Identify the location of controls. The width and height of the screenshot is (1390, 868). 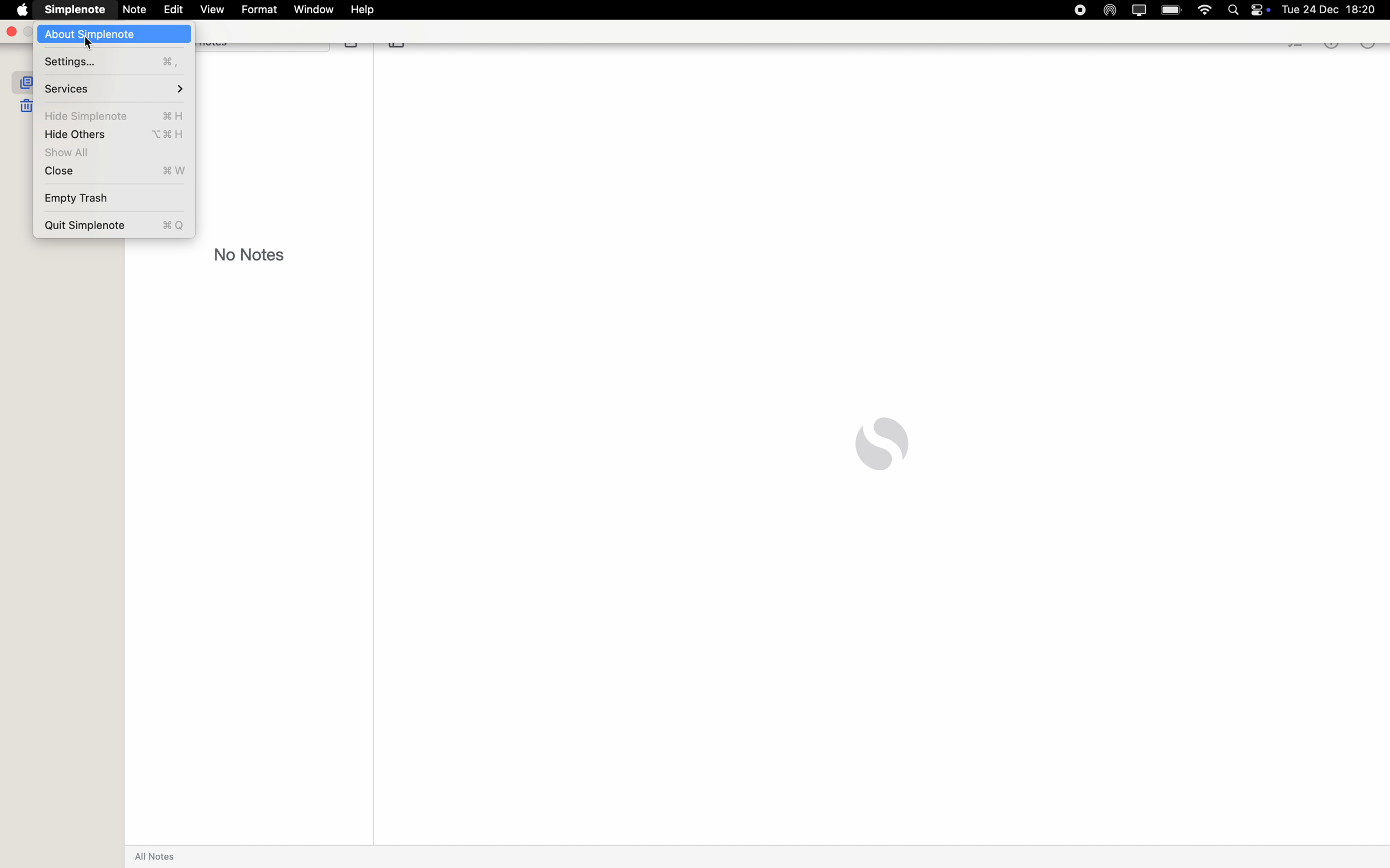
(1265, 10).